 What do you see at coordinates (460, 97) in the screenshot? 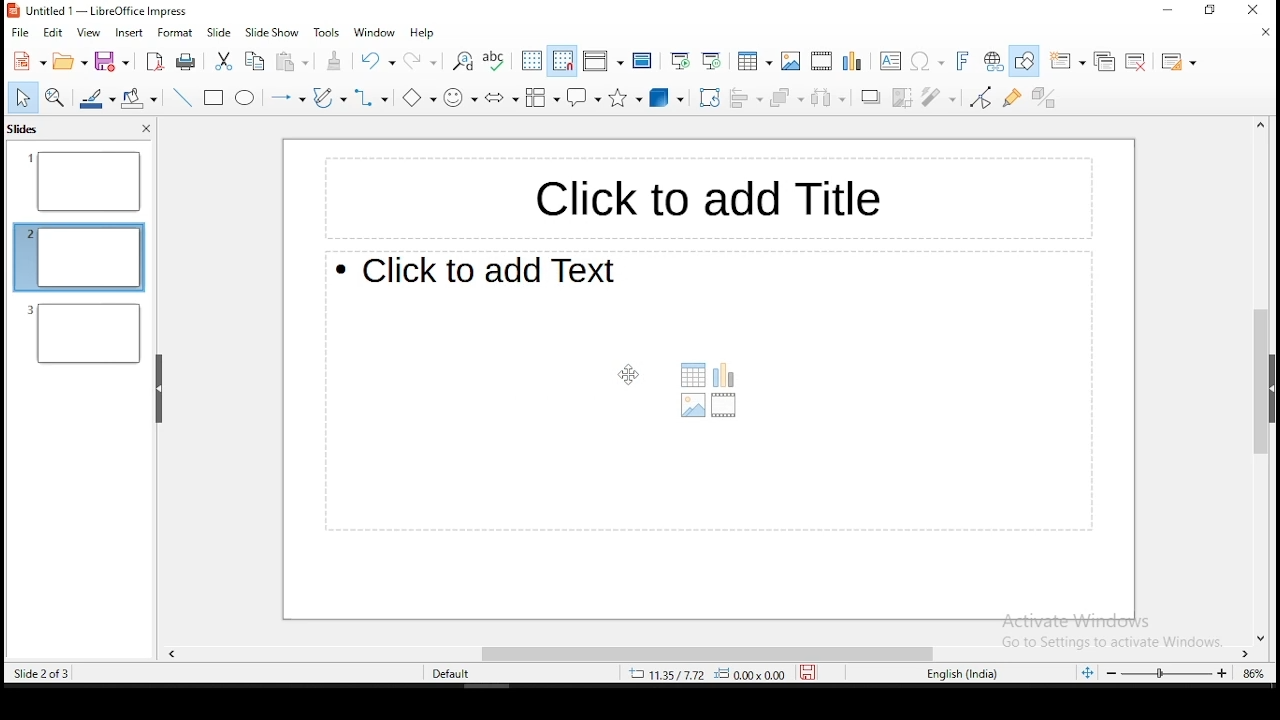
I see `symbol shapes` at bounding box center [460, 97].